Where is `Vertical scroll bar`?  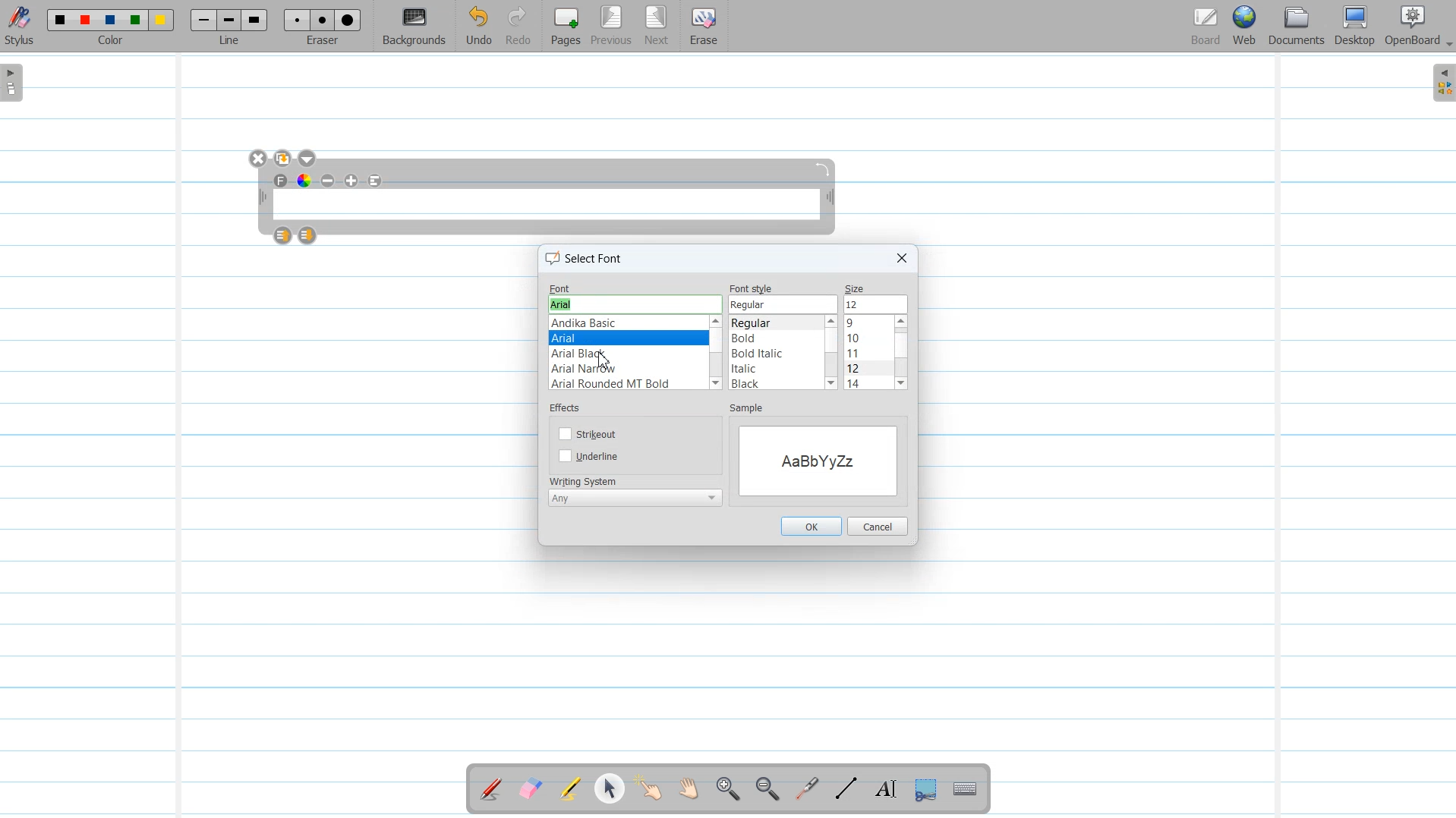
Vertical scroll bar is located at coordinates (901, 353).